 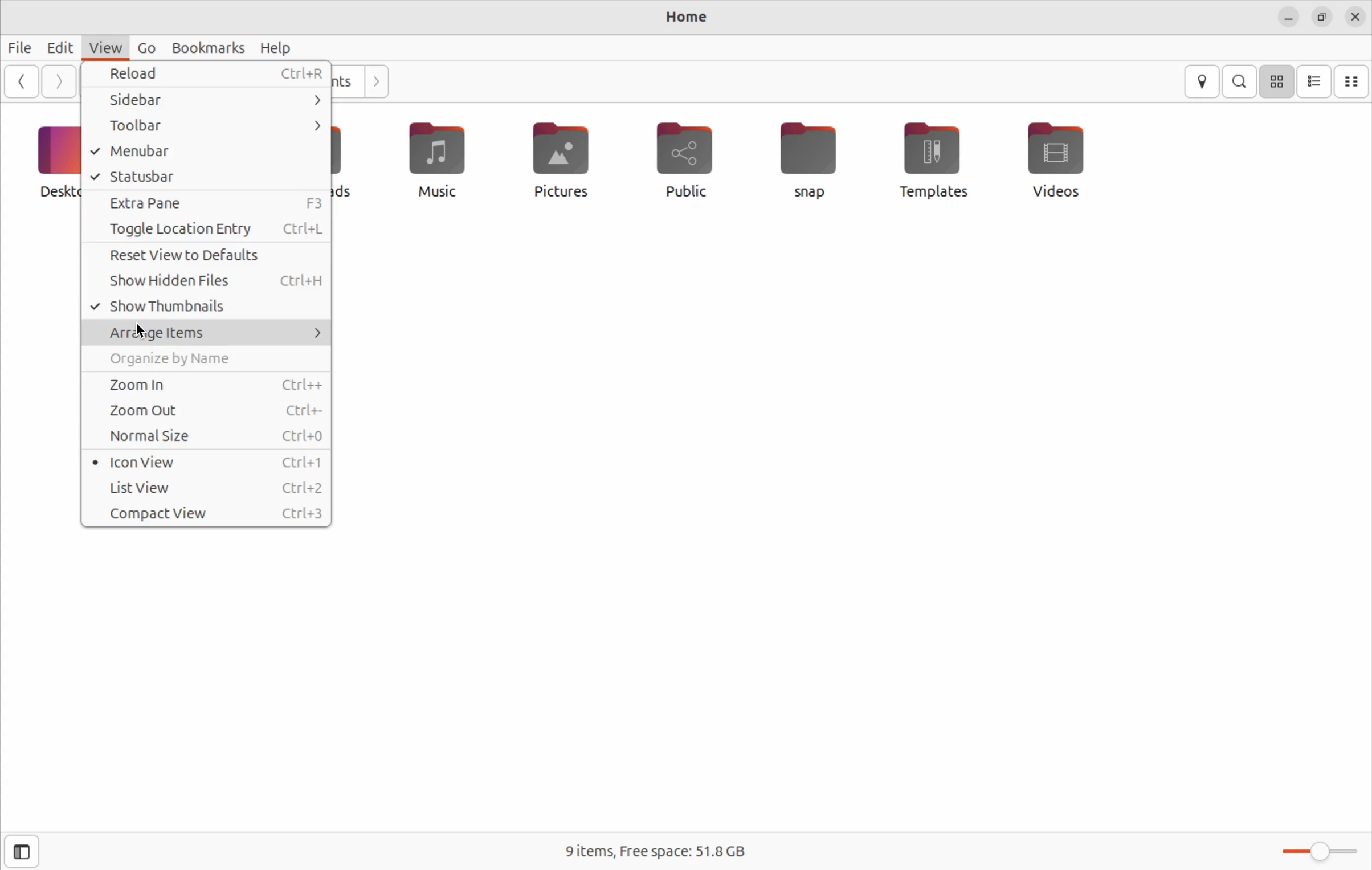 What do you see at coordinates (148, 333) in the screenshot?
I see `cursor` at bounding box center [148, 333].